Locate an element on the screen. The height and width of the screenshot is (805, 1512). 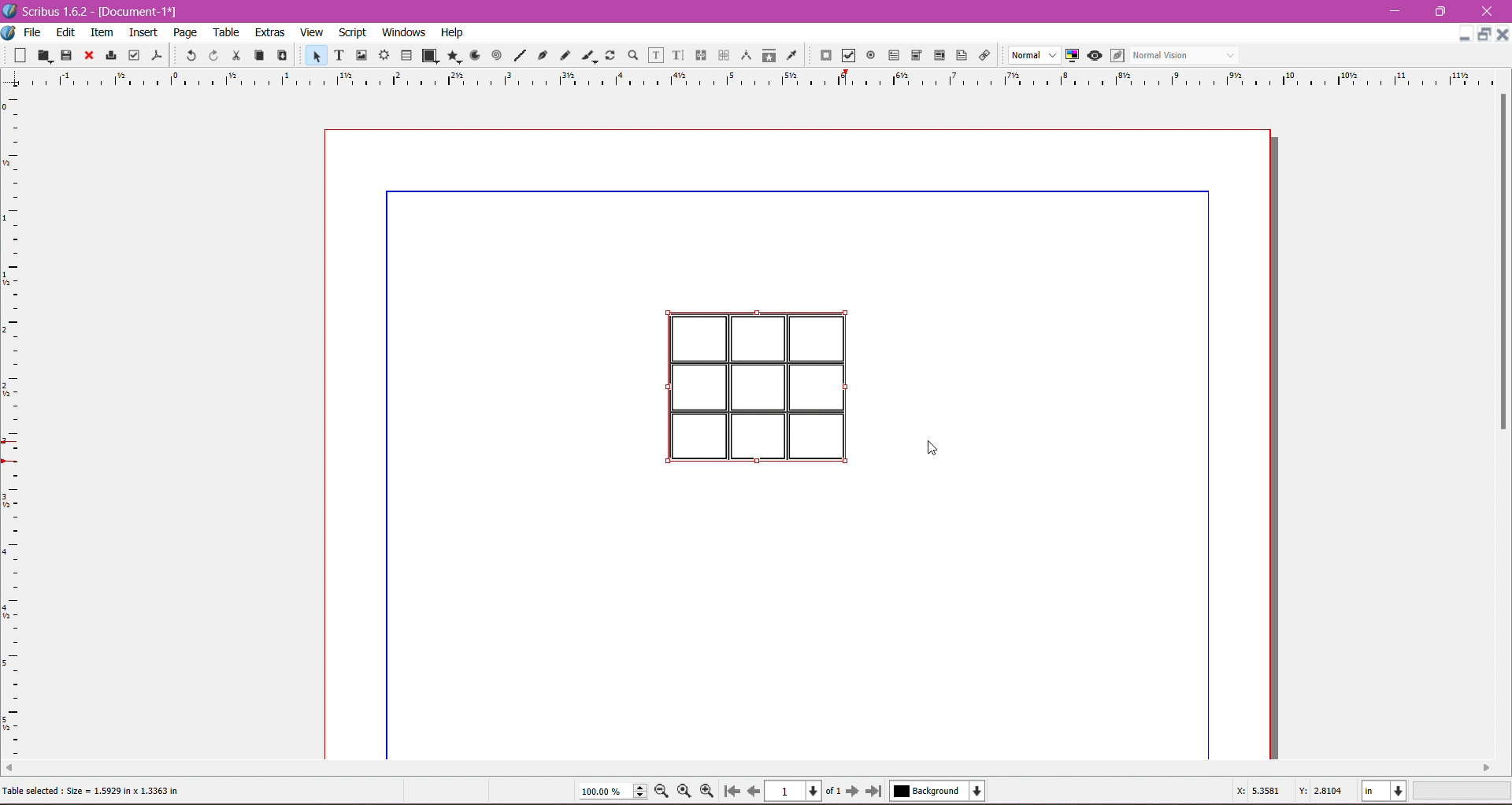
100.00 % is located at coordinates (613, 792).